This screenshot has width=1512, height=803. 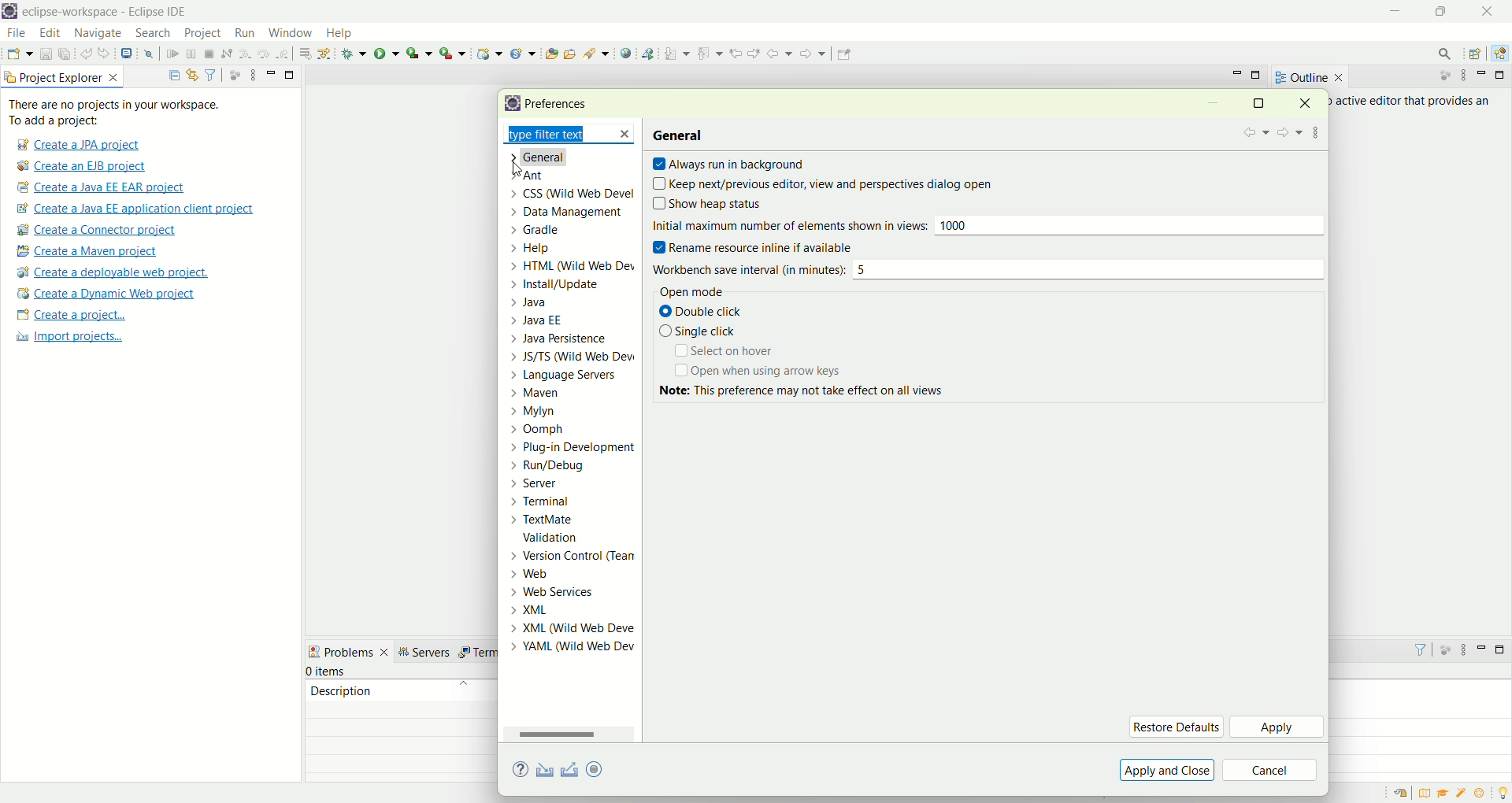 What do you see at coordinates (739, 54) in the screenshot?
I see `previous edit location` at bounding box center [739, 54].